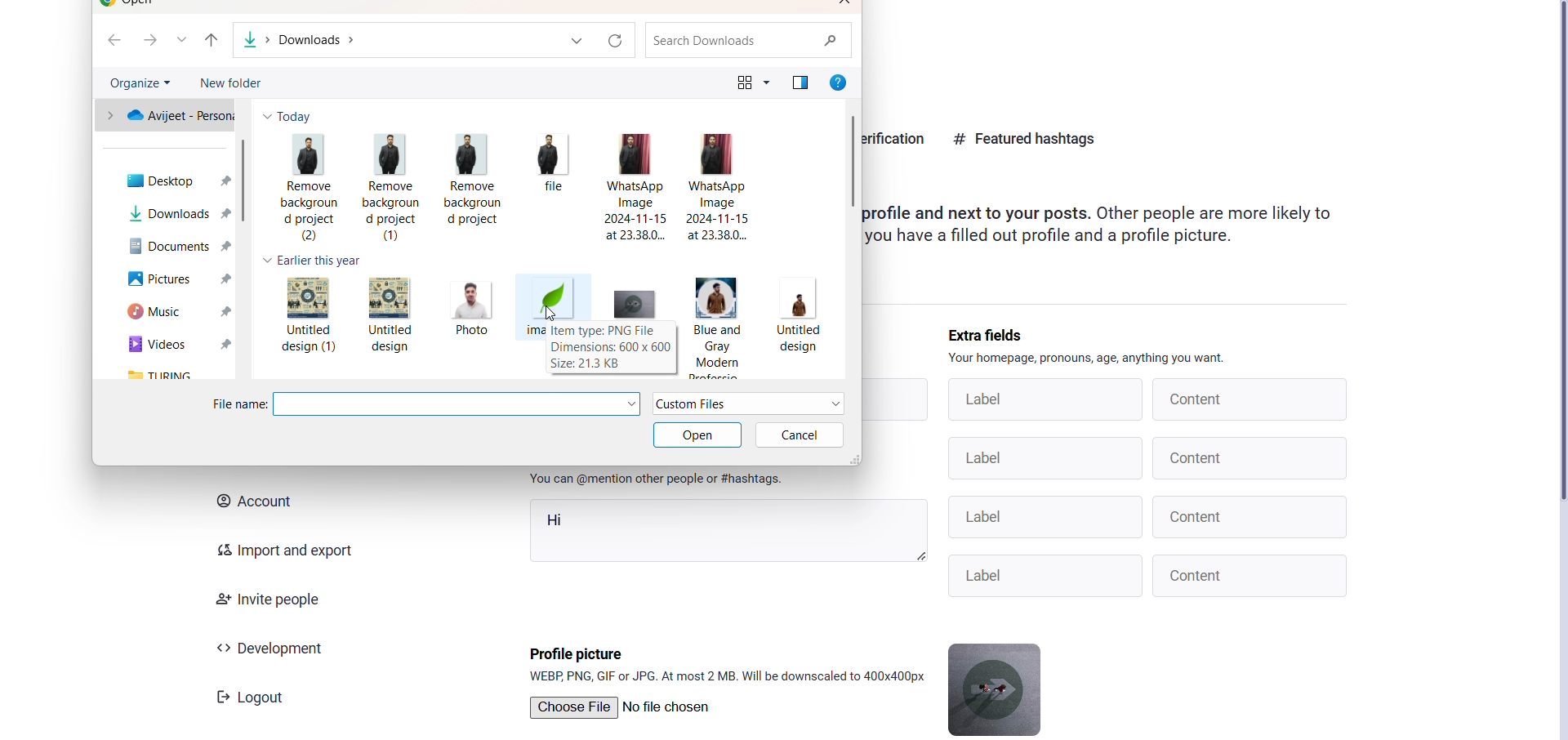 The image size is (1568, 740). I want to click on downloads, so click(176, 212).